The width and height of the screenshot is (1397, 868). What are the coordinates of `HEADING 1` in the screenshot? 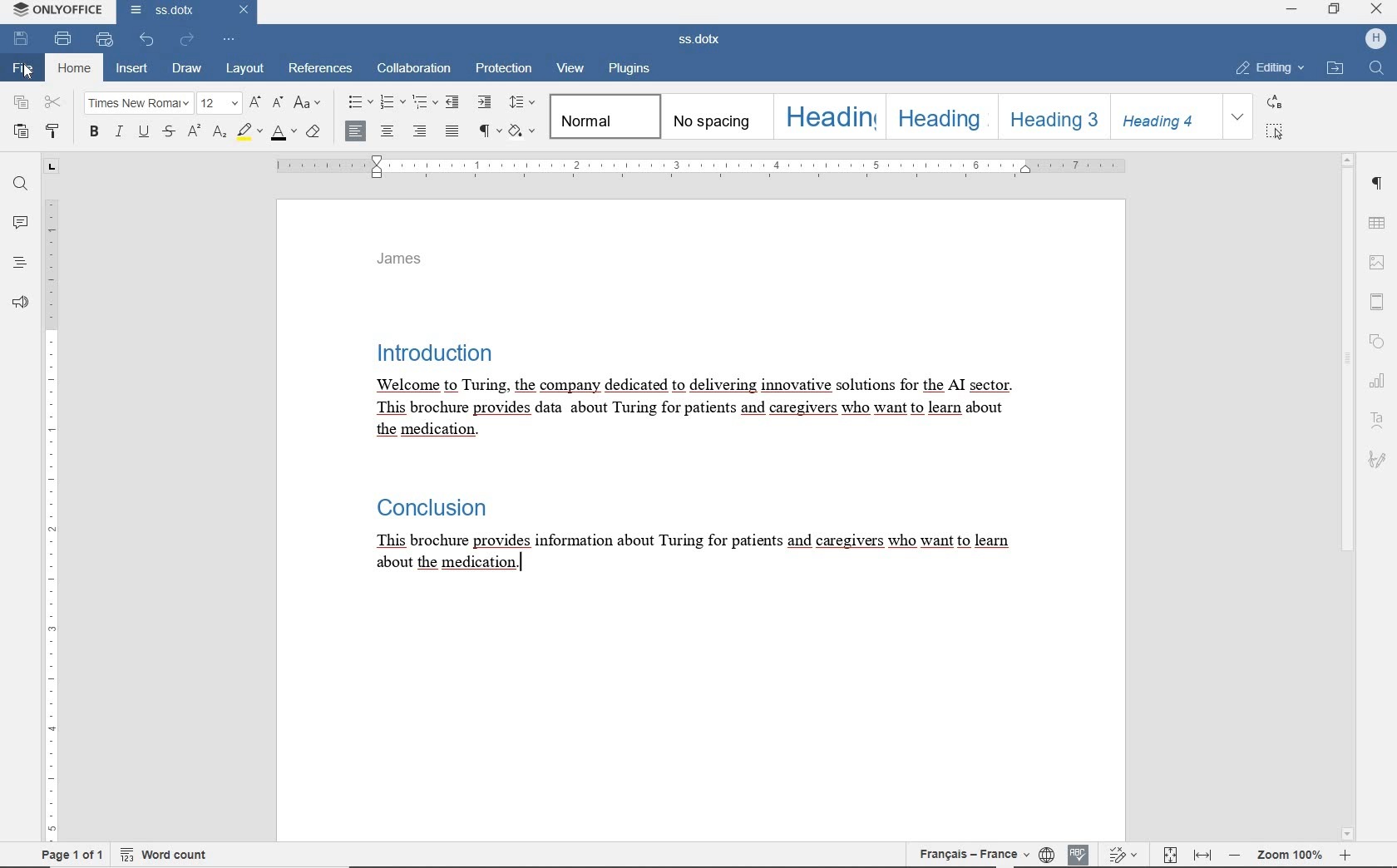 It's located at (828, 116).